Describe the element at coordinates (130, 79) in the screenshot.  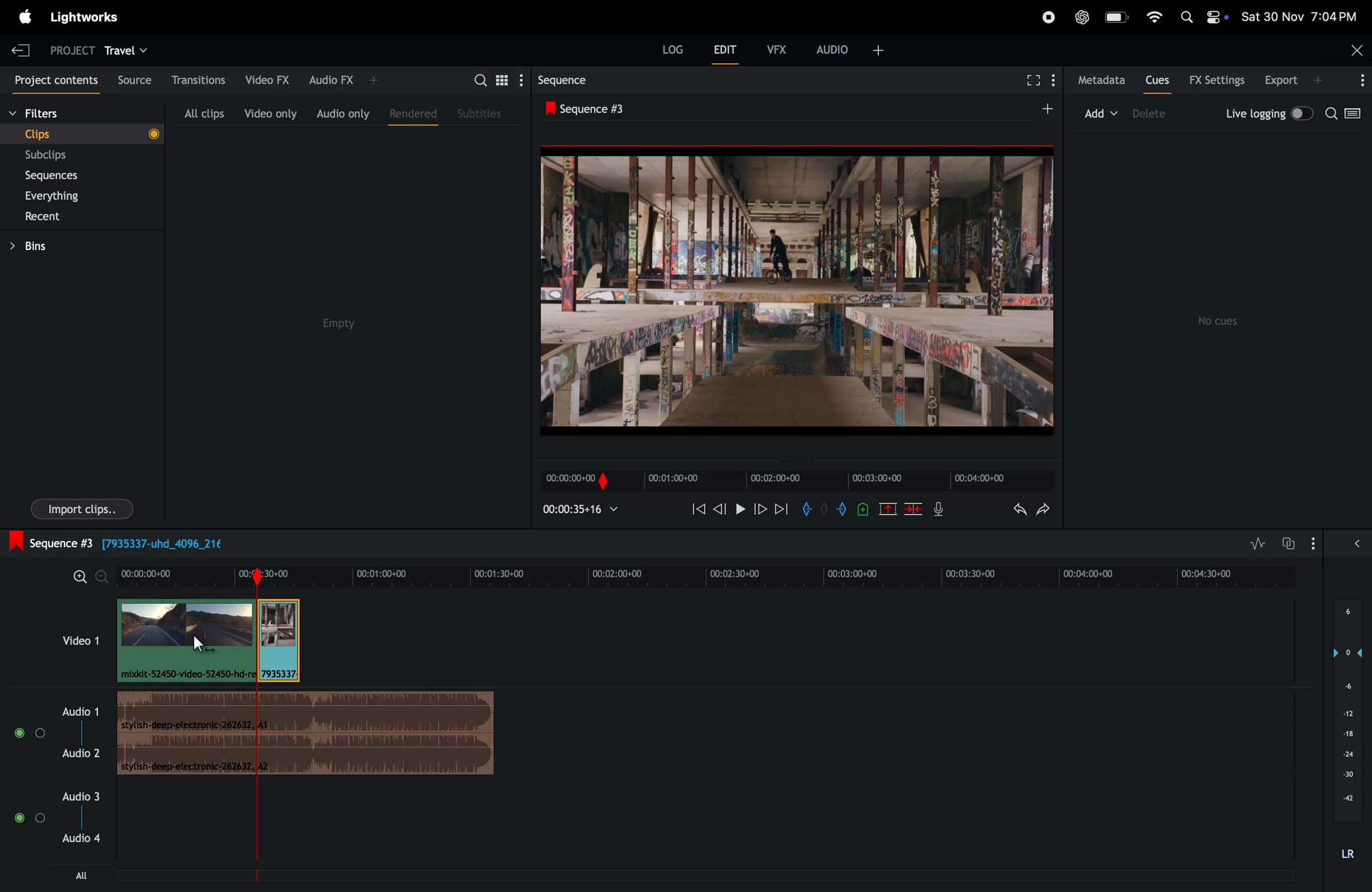
I see `source` at that location.